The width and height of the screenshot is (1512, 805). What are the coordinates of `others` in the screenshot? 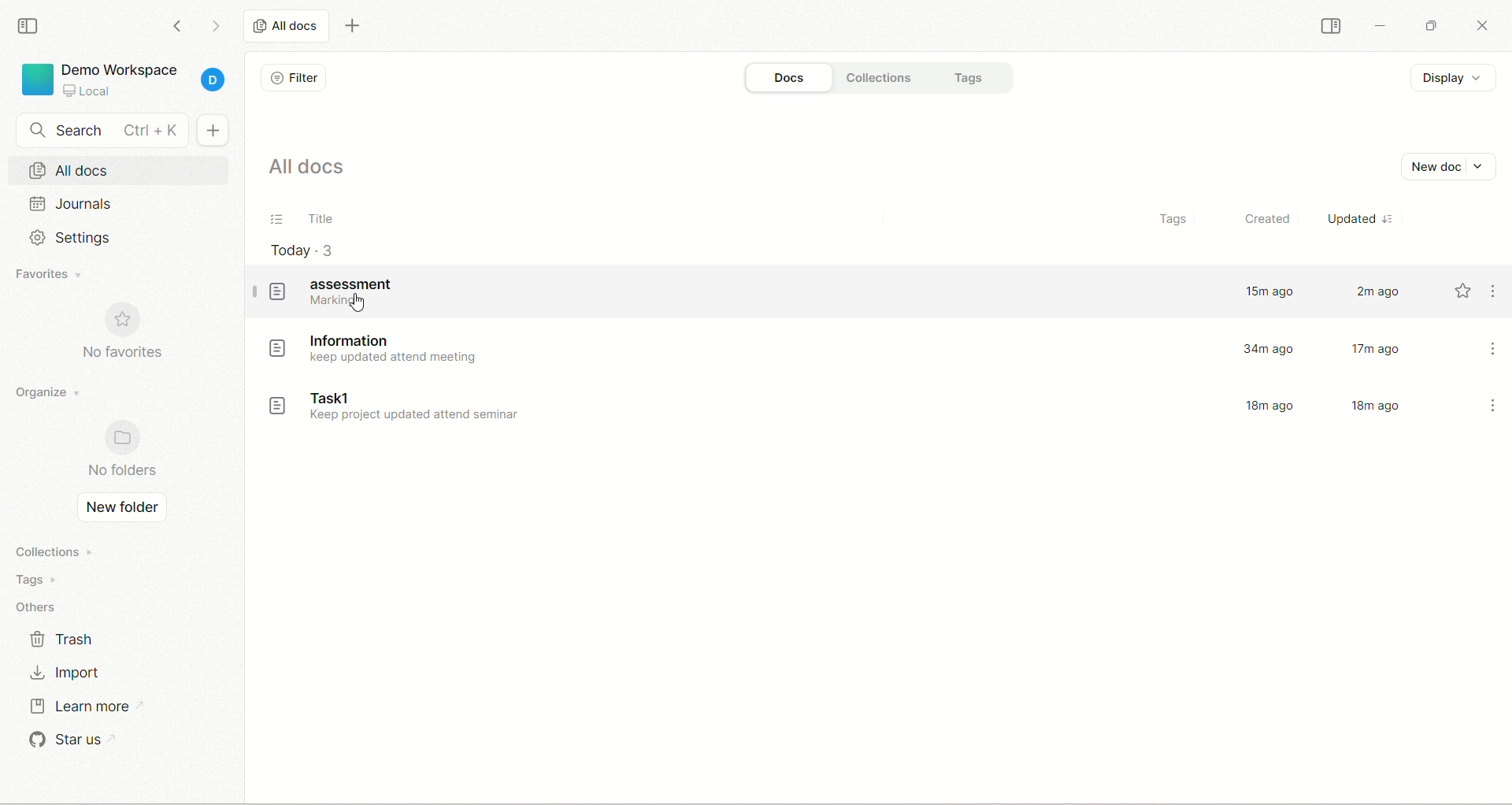 It's located at (40, 606).